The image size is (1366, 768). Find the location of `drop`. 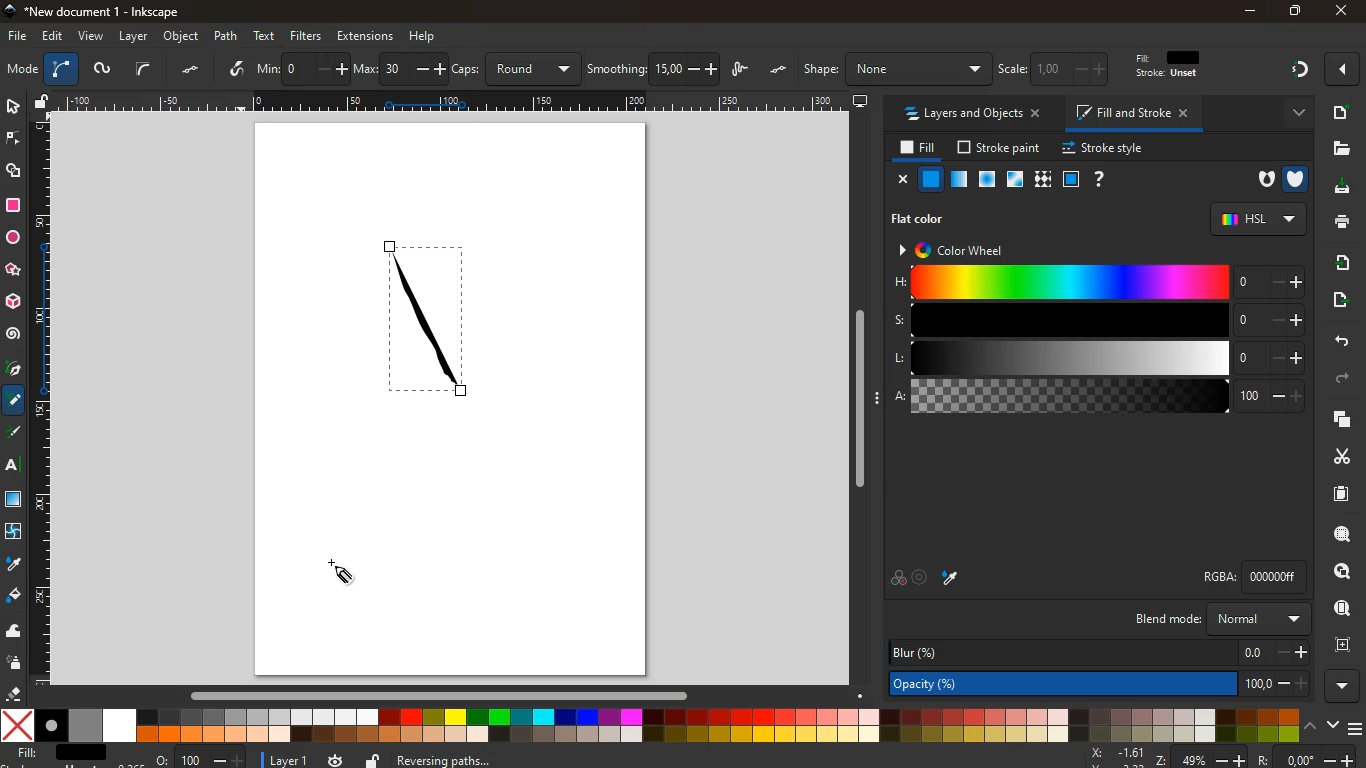

drop is located at coordinates (13, 565).